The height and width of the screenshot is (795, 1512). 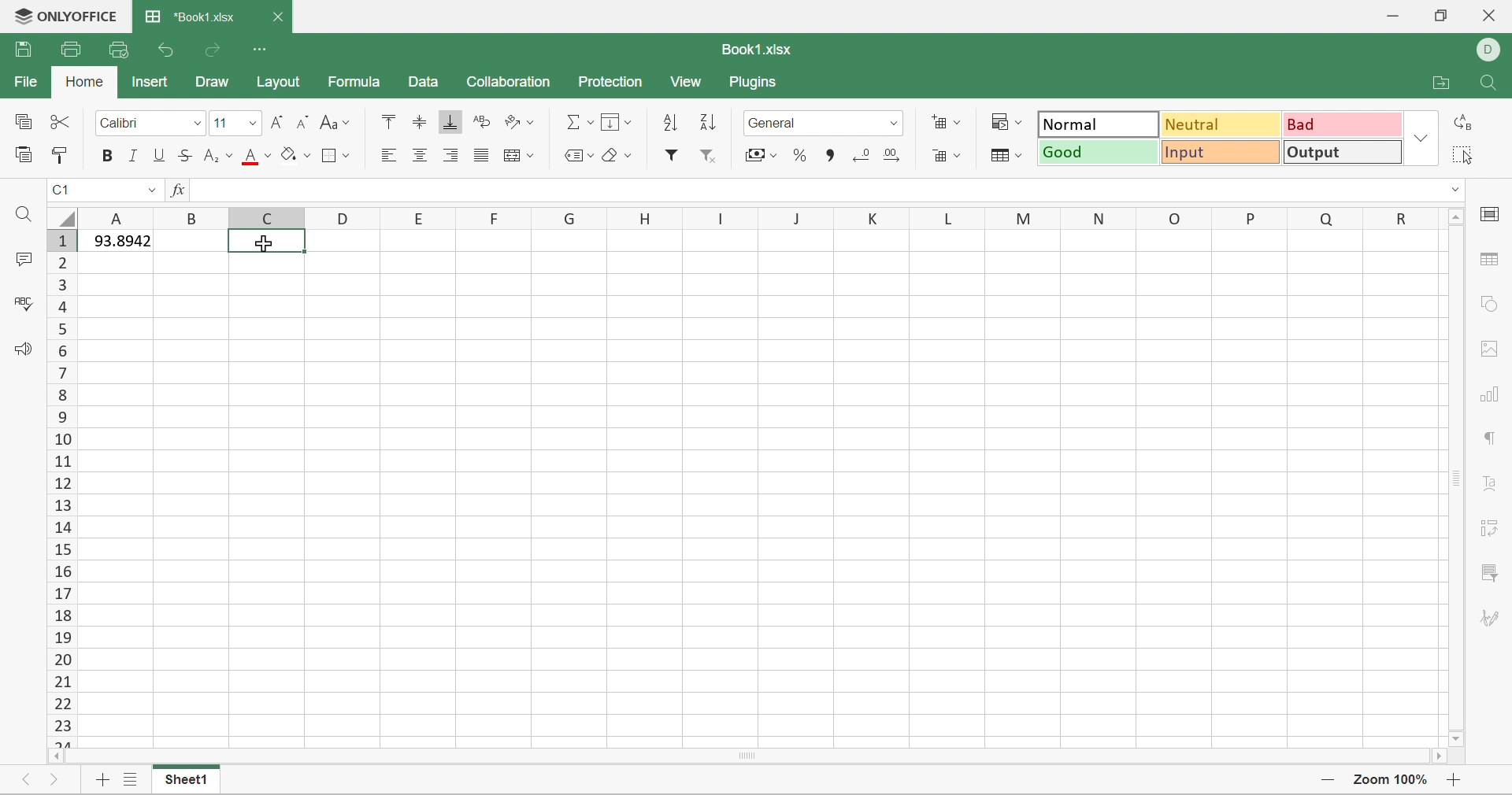 What do you see at coordinates (1440, 84) in the screenshot?
I see `Open file location` at bounding box center [1440, 84].